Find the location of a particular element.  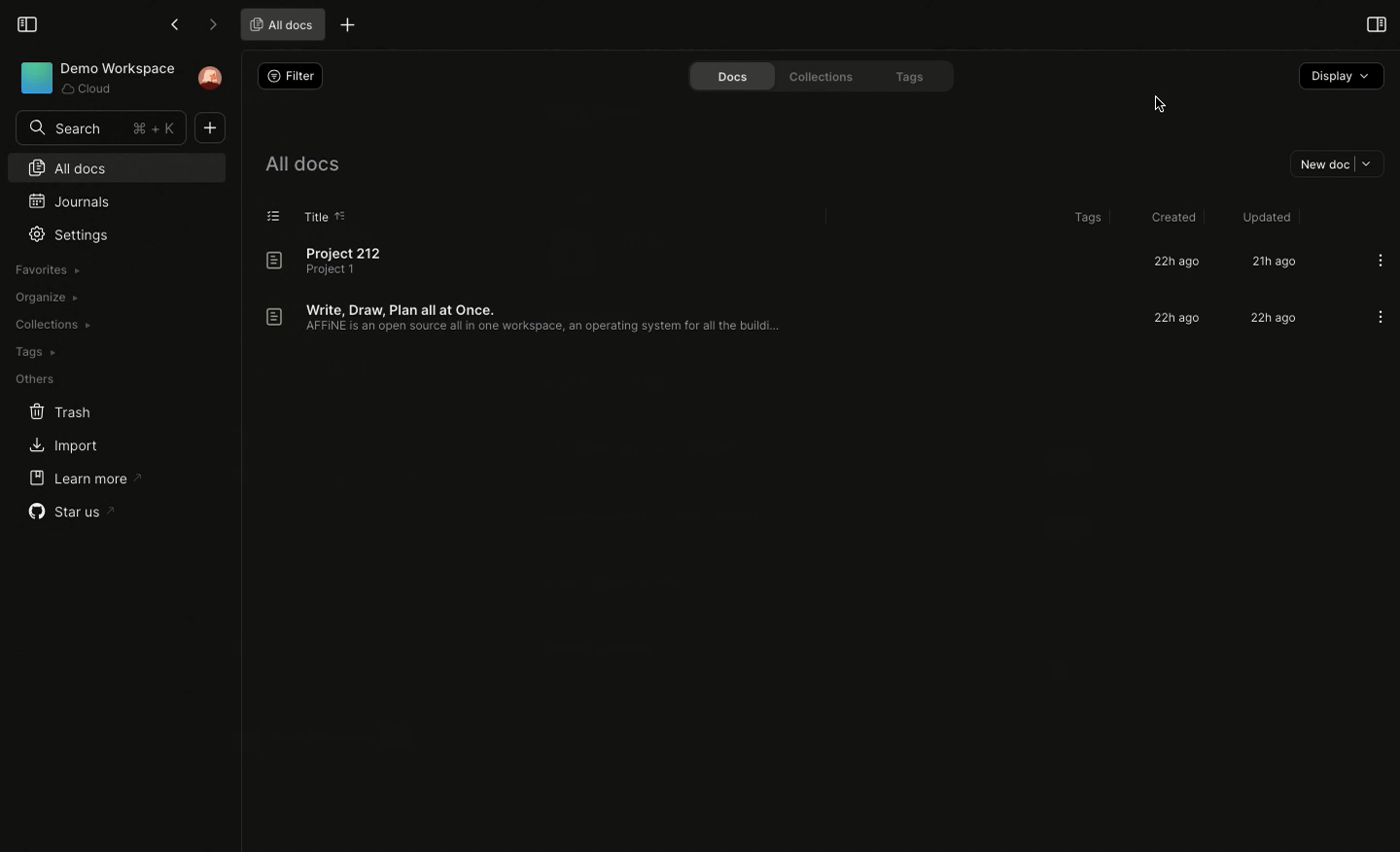

Learn more is located at coordinates (84, 478).